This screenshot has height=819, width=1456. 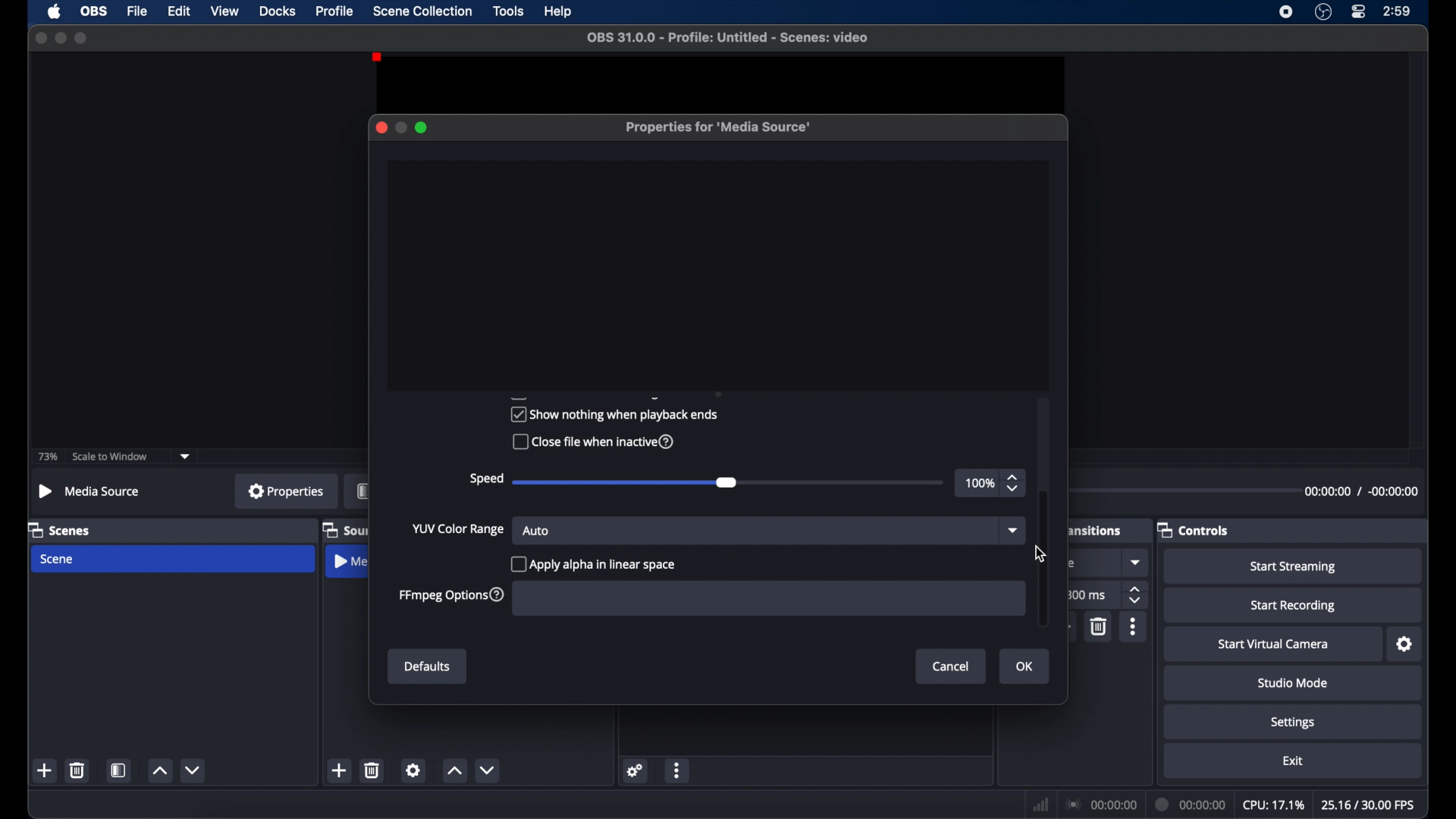 What do you see at coordinates (186, 457) in the screenshot?
I see `dropdown` at bounding box center [186, 457].